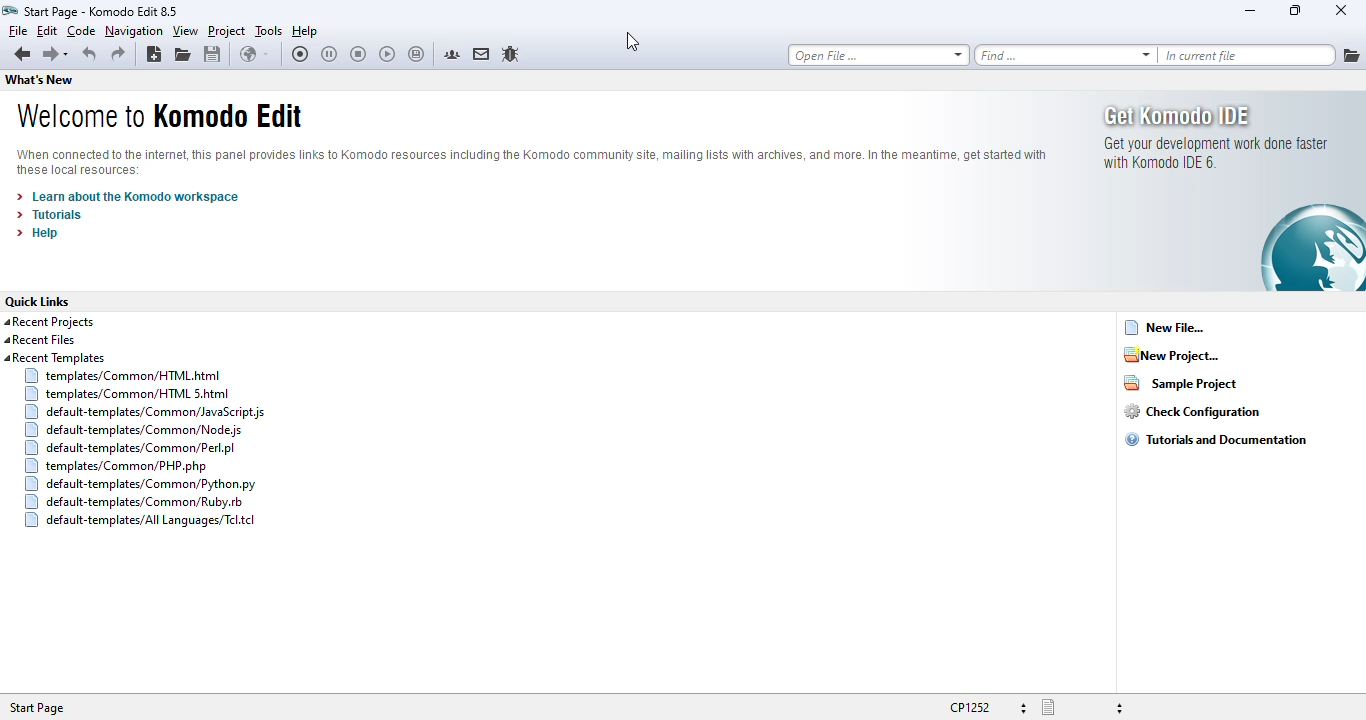  I want to click on play last macro, so click(388, 55).